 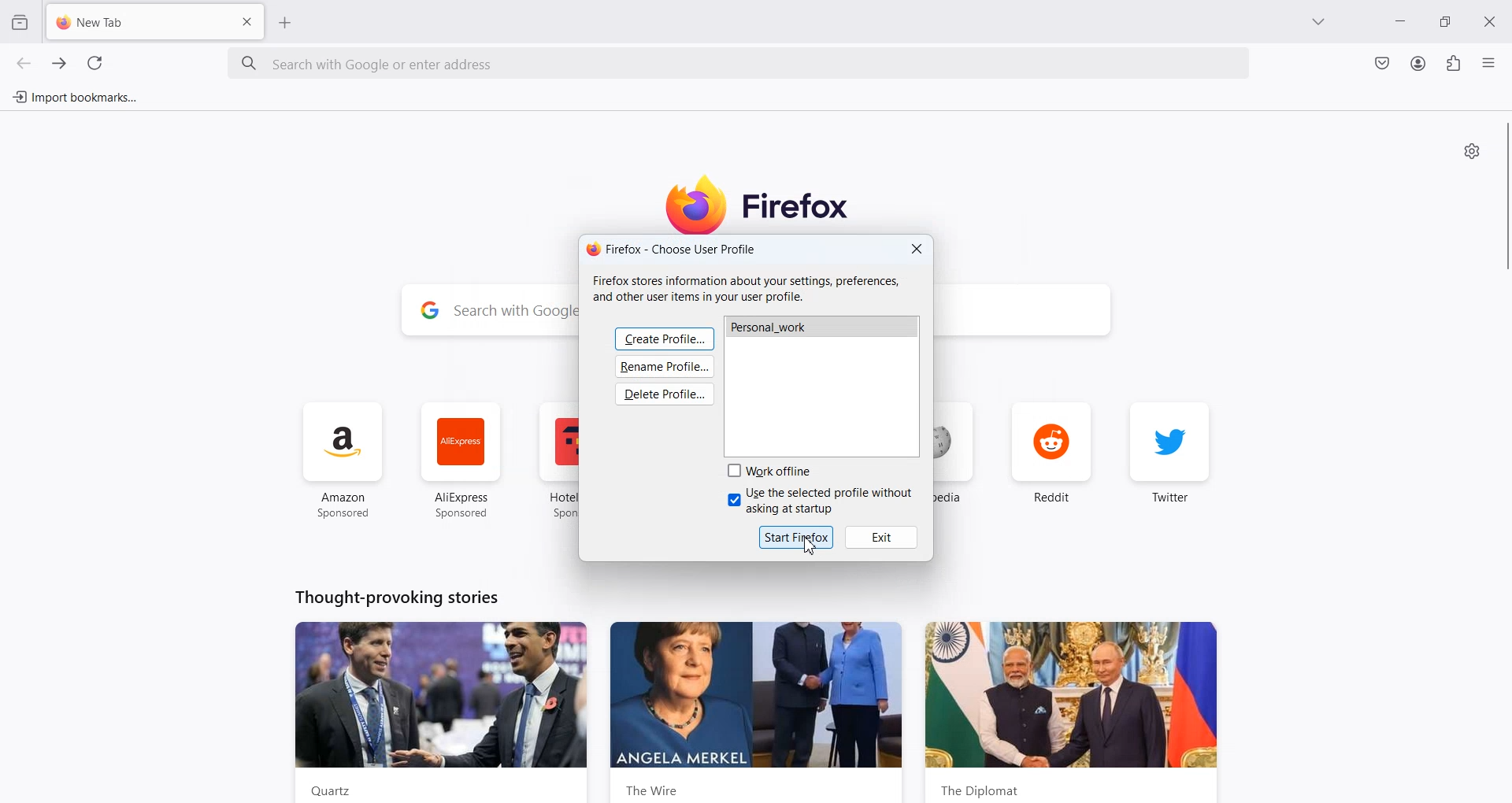 What do you see at coordinates (1494, 20) in the screenshot?
I see `Close` at bounding box center [1494, 20].